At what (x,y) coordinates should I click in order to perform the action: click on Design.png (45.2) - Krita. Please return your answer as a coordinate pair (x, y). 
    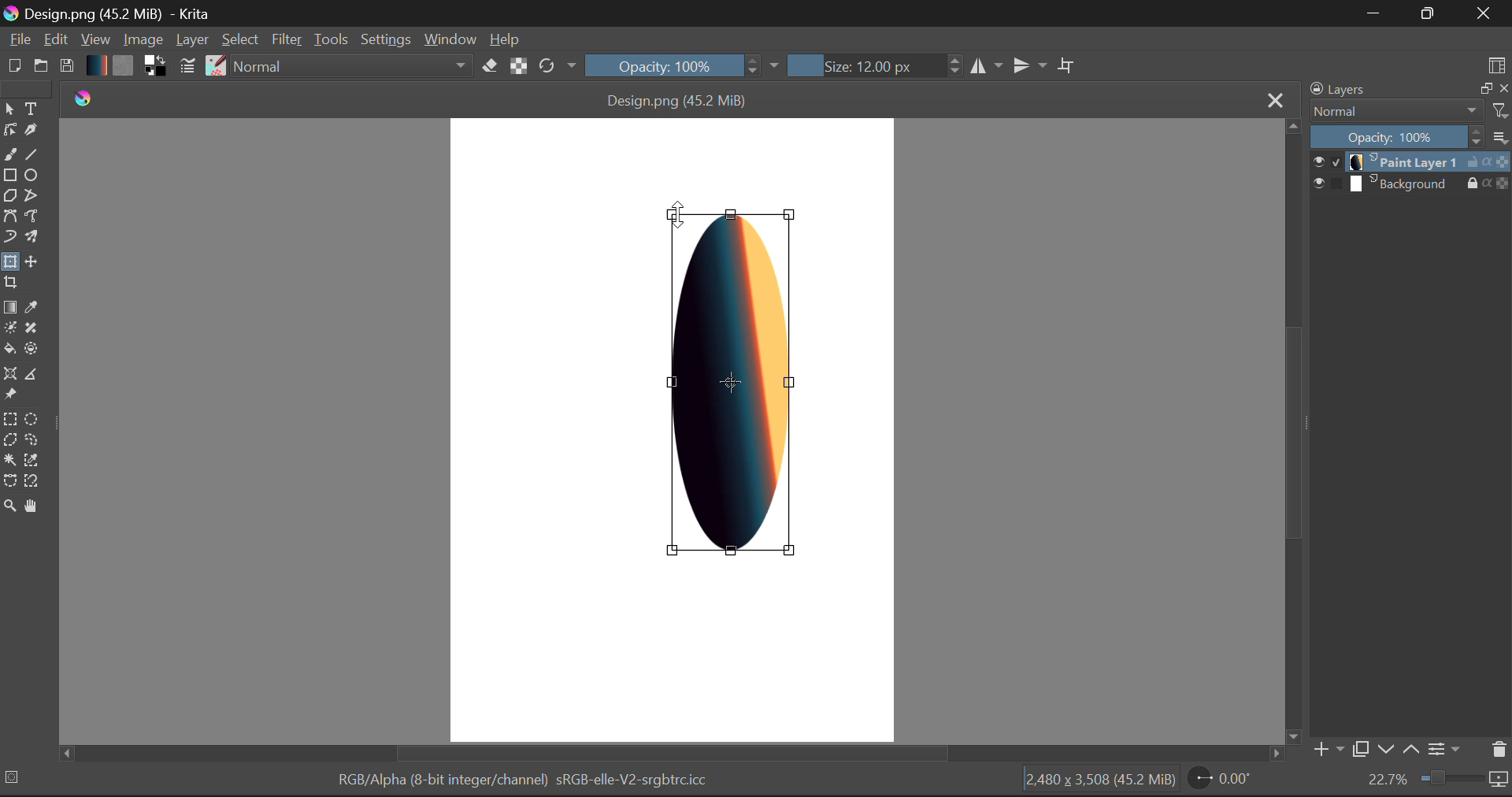
    Looking at the image, I should click on (114, 13).